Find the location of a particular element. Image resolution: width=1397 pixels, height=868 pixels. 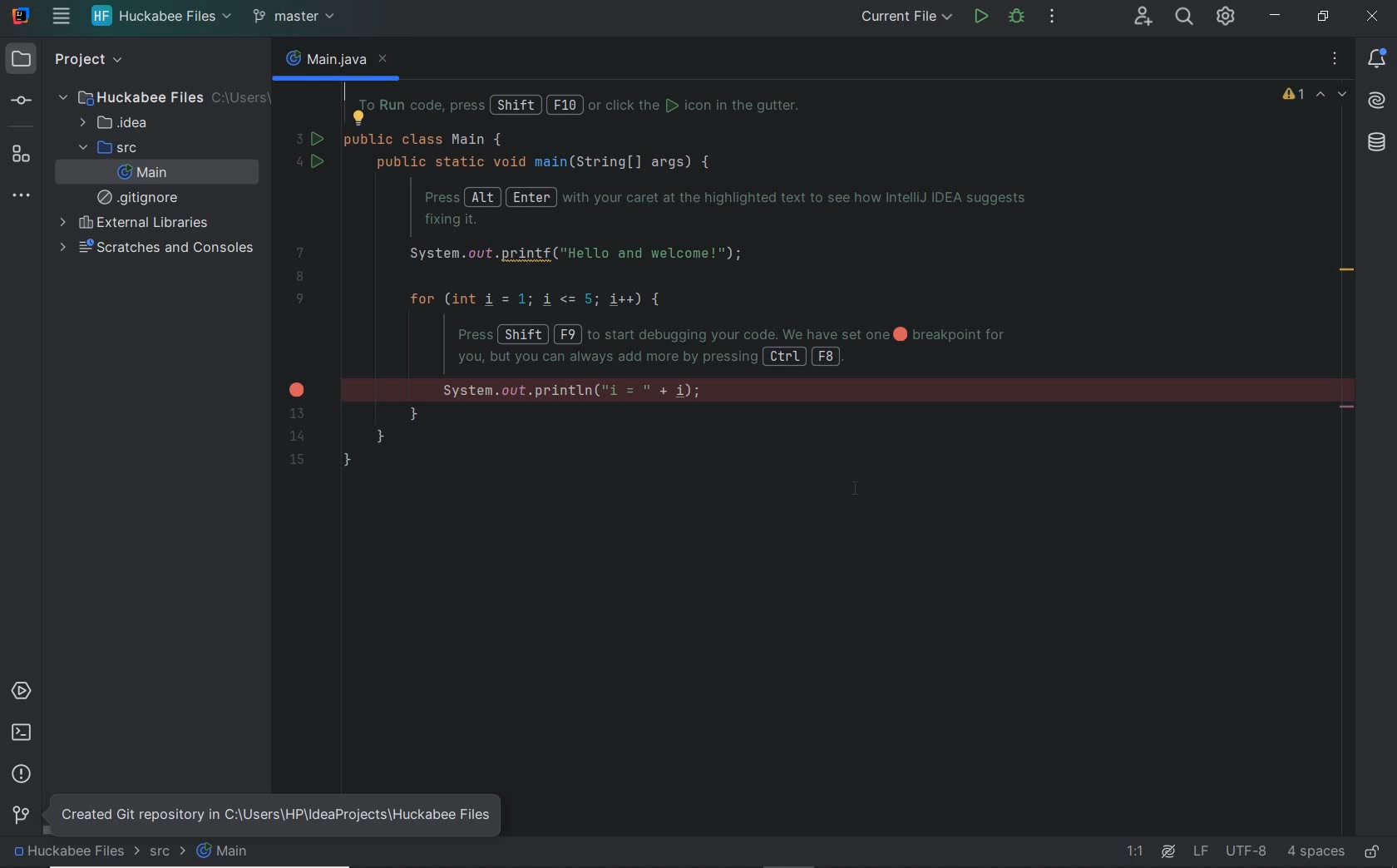

external libraries is located at coordinates (132, 223).